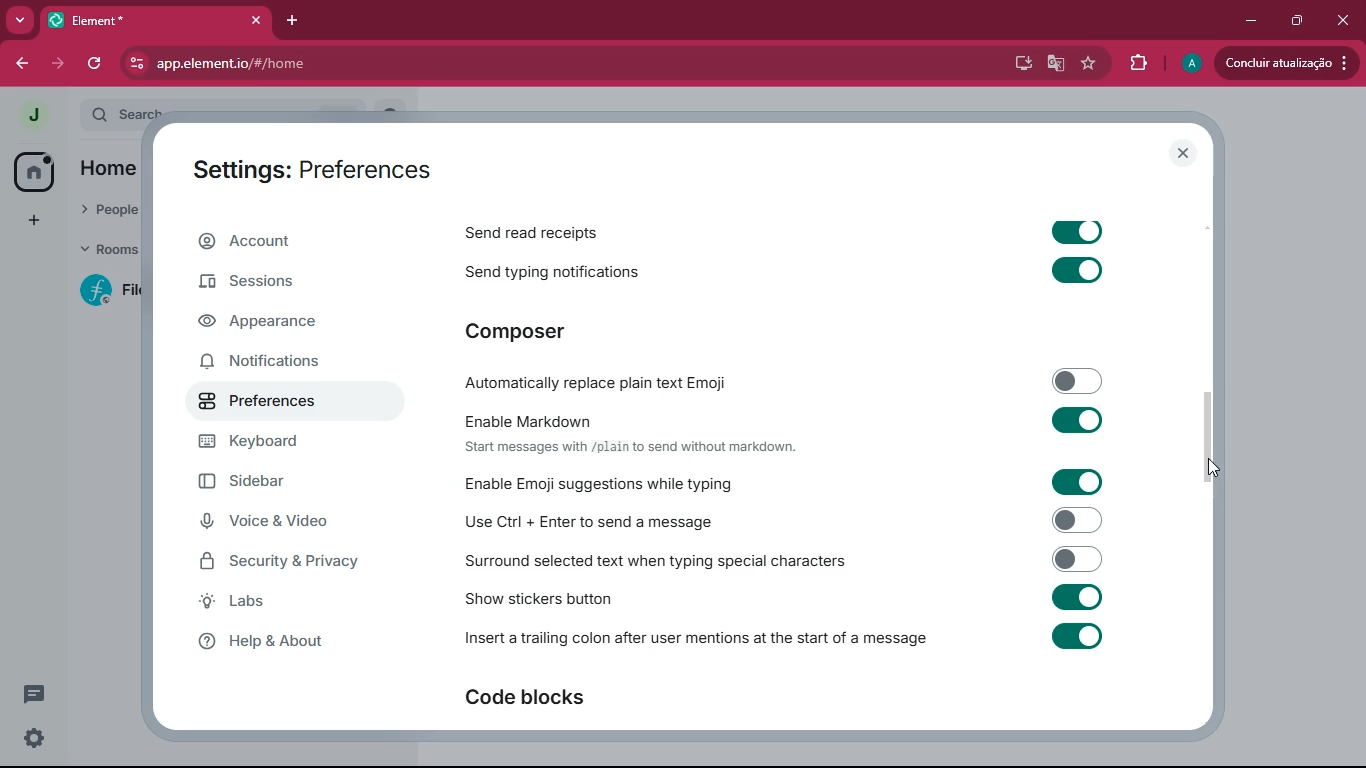  What do you see at coordinates (1086, 64) in the screenshot?
I see `favourite` at bounding box center [1086, 64].